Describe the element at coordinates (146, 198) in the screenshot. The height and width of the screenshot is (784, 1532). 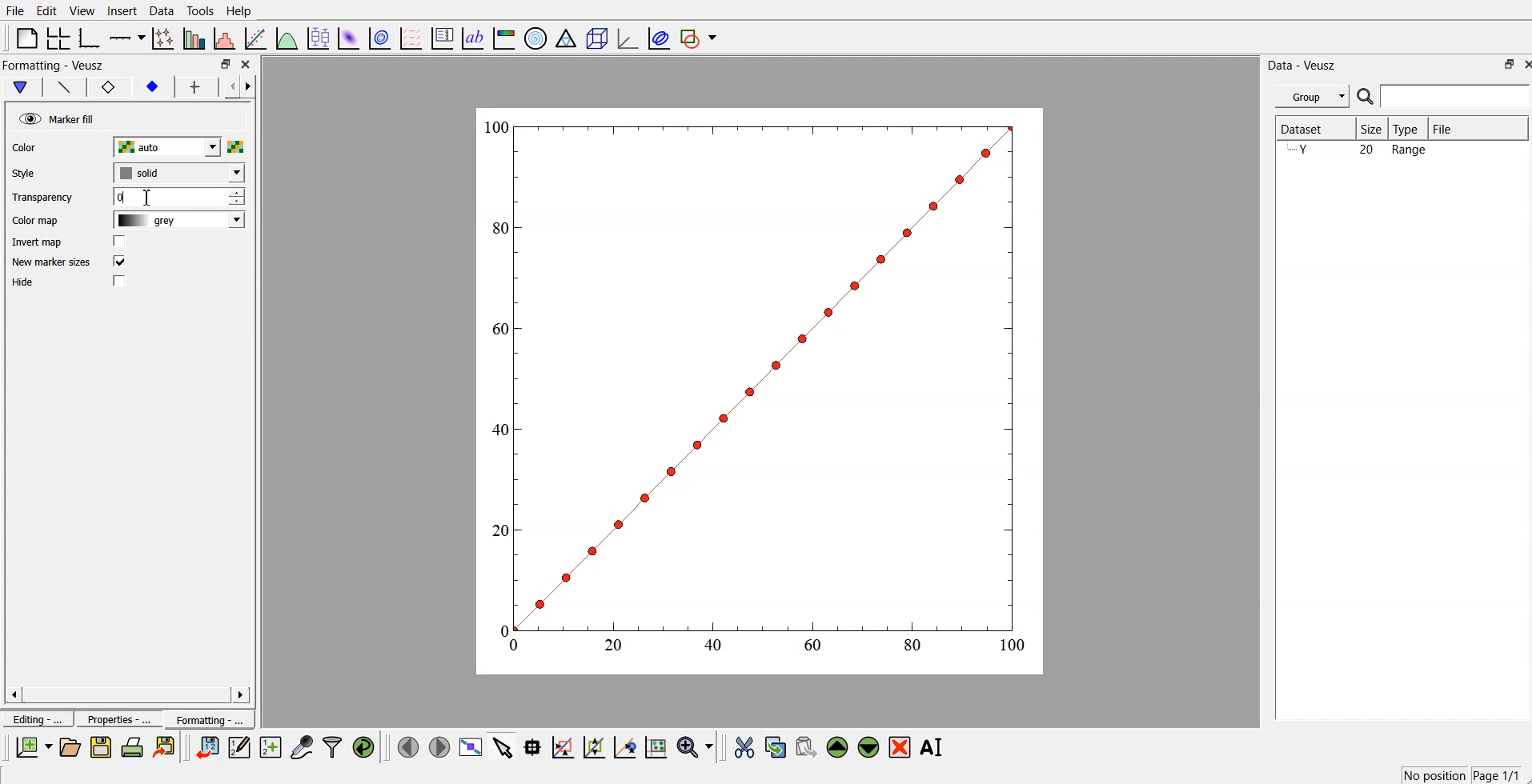
I see `cursor` at that location.